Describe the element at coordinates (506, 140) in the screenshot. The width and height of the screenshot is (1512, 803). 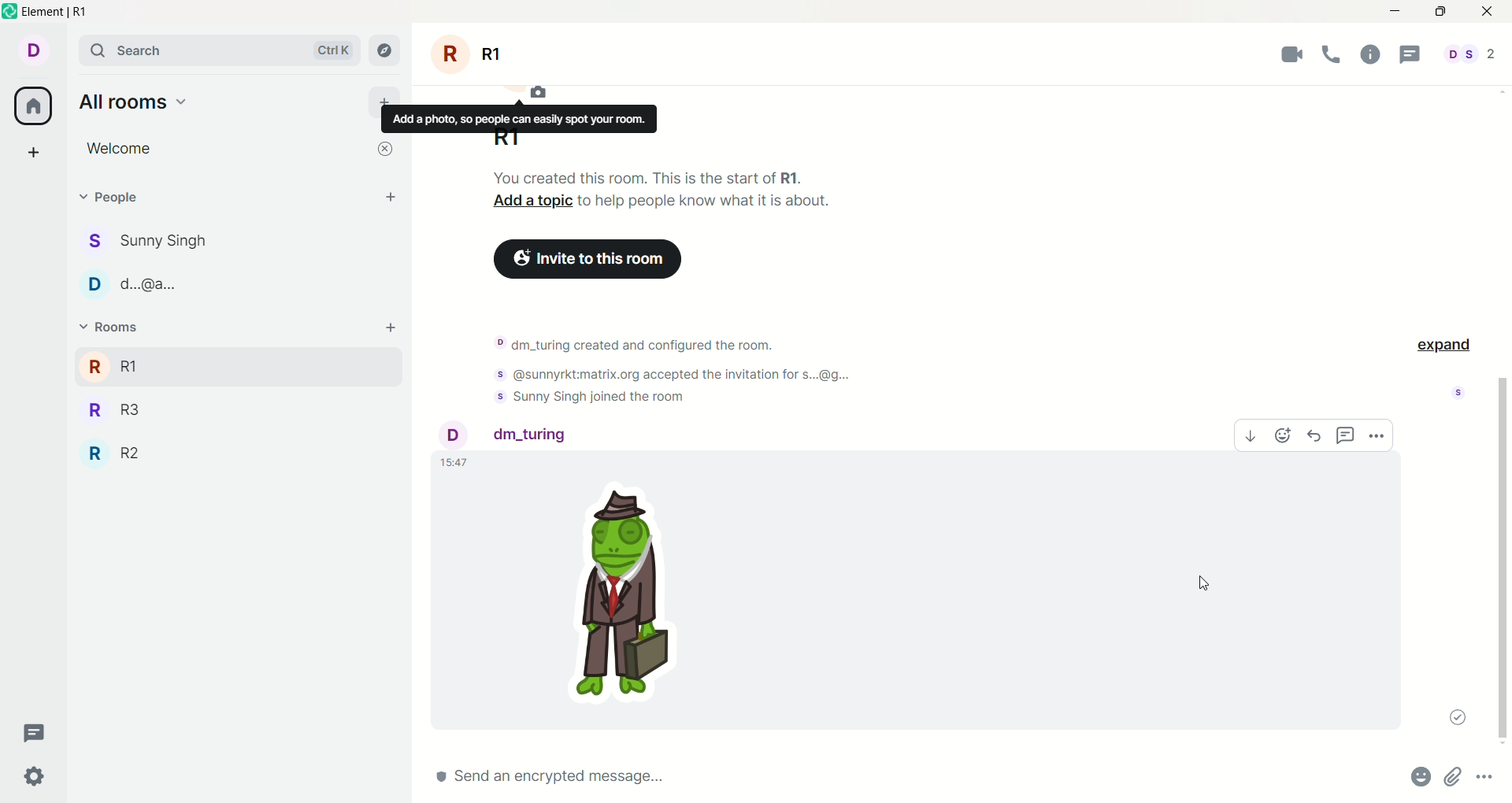
I see `R1 - current room name` at that location.